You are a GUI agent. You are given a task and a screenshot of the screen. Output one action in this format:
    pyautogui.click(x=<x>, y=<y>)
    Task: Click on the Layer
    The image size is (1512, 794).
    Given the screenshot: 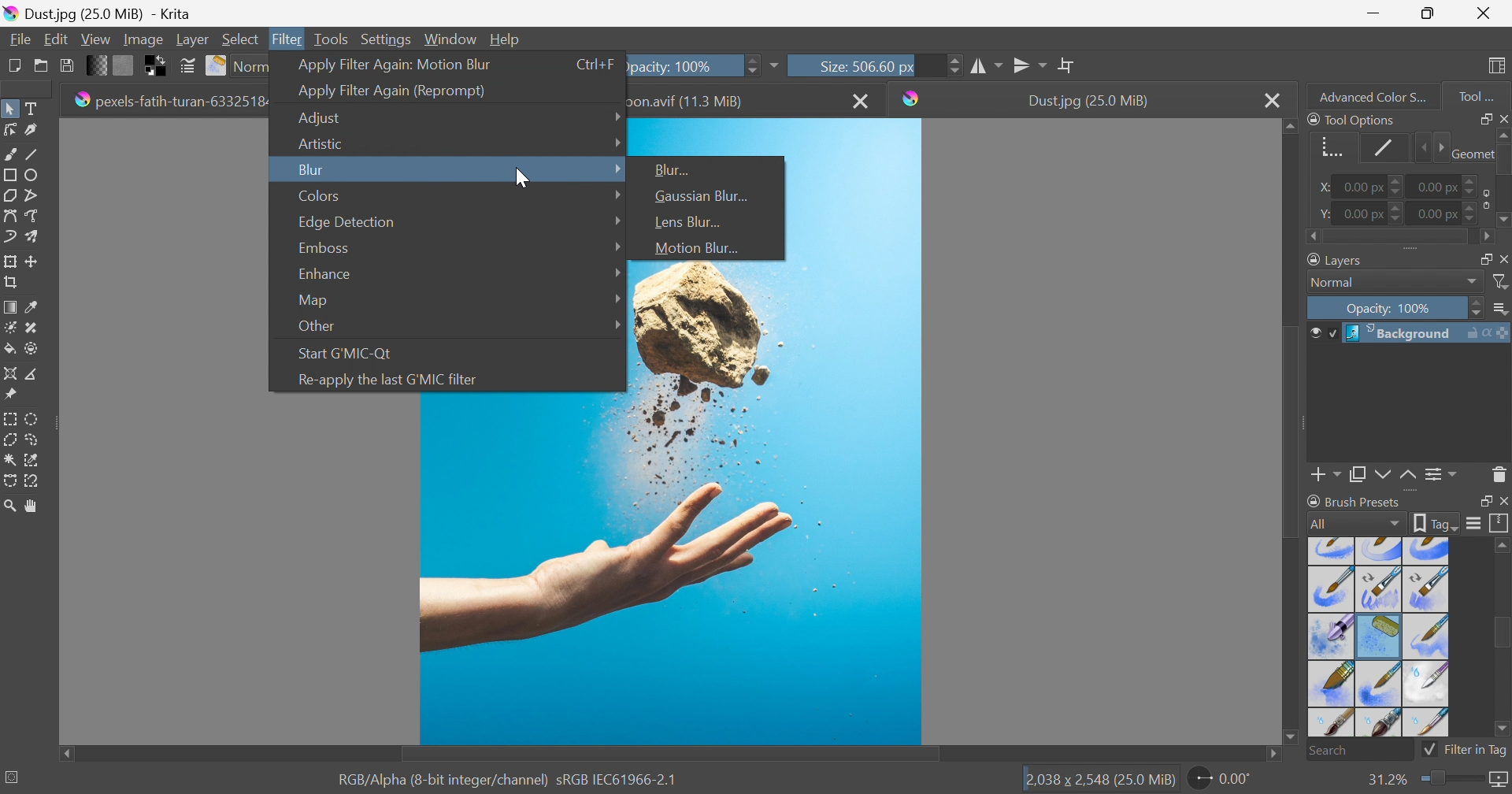 What is the action you would take?
    pyautogui.click(x=192, y=38)
    